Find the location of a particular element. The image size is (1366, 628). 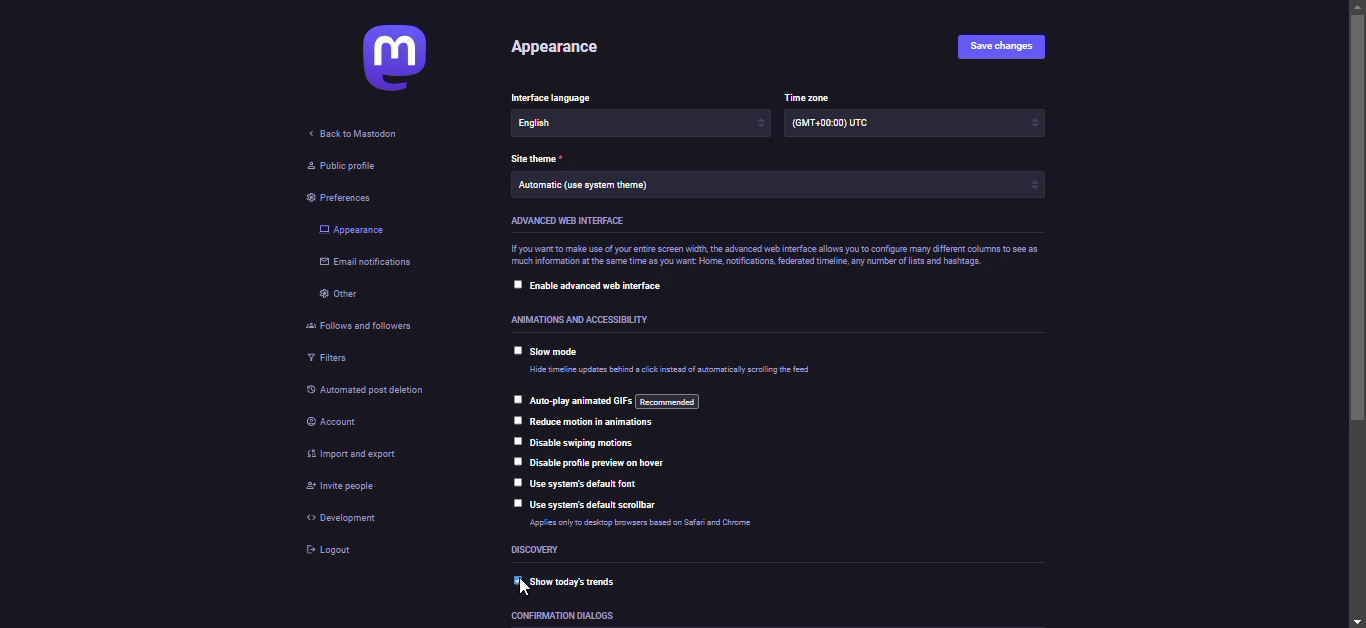

public profile is located at coordinates (337, 167).